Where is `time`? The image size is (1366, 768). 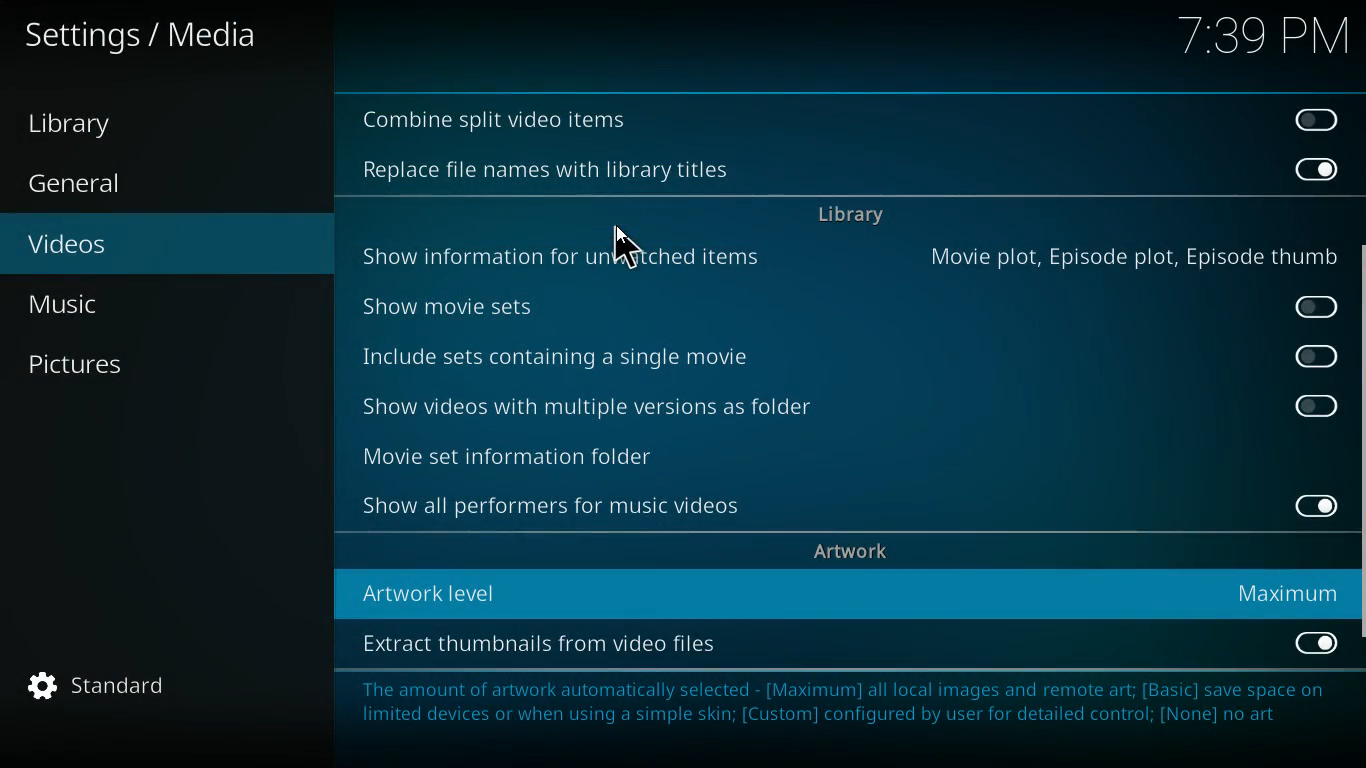 time is located at coordinates (1260, 38).